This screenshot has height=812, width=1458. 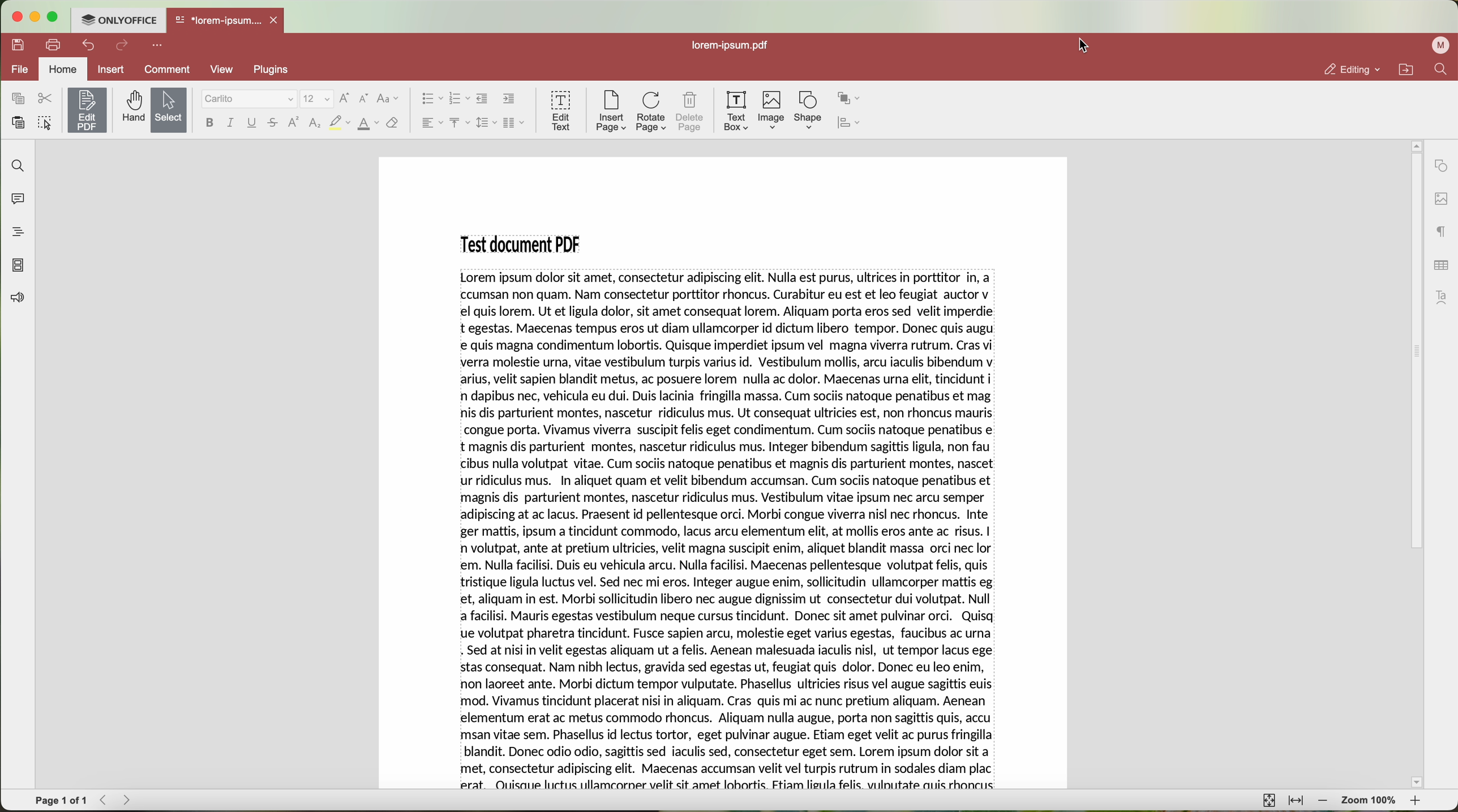 What do you see at coordinates (345, 98) in the screenshot?
I see `increment font size` at bounding box center [345, 98].